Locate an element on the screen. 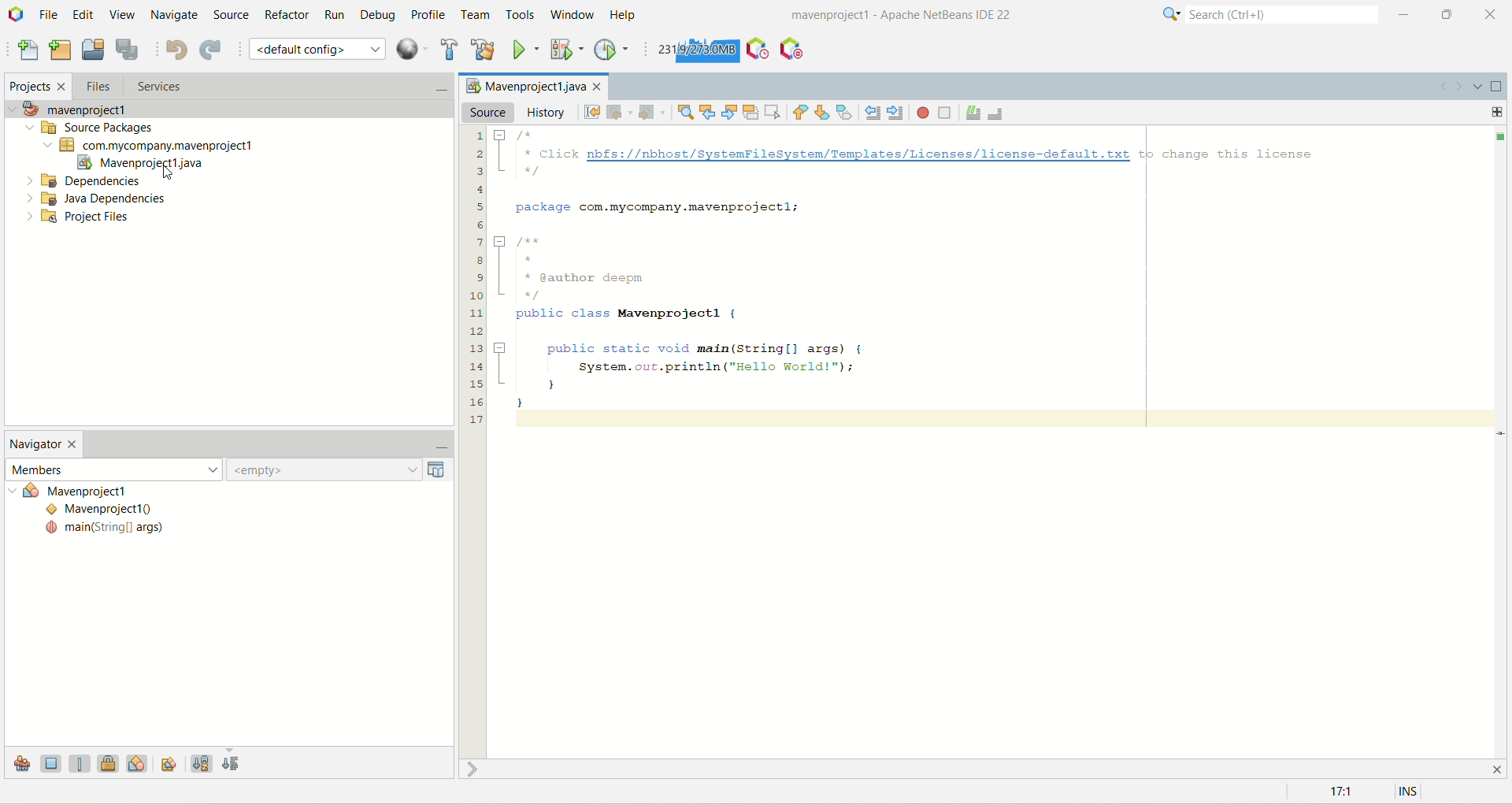  toggle rectangular selection is located at coordinates (774, 110).